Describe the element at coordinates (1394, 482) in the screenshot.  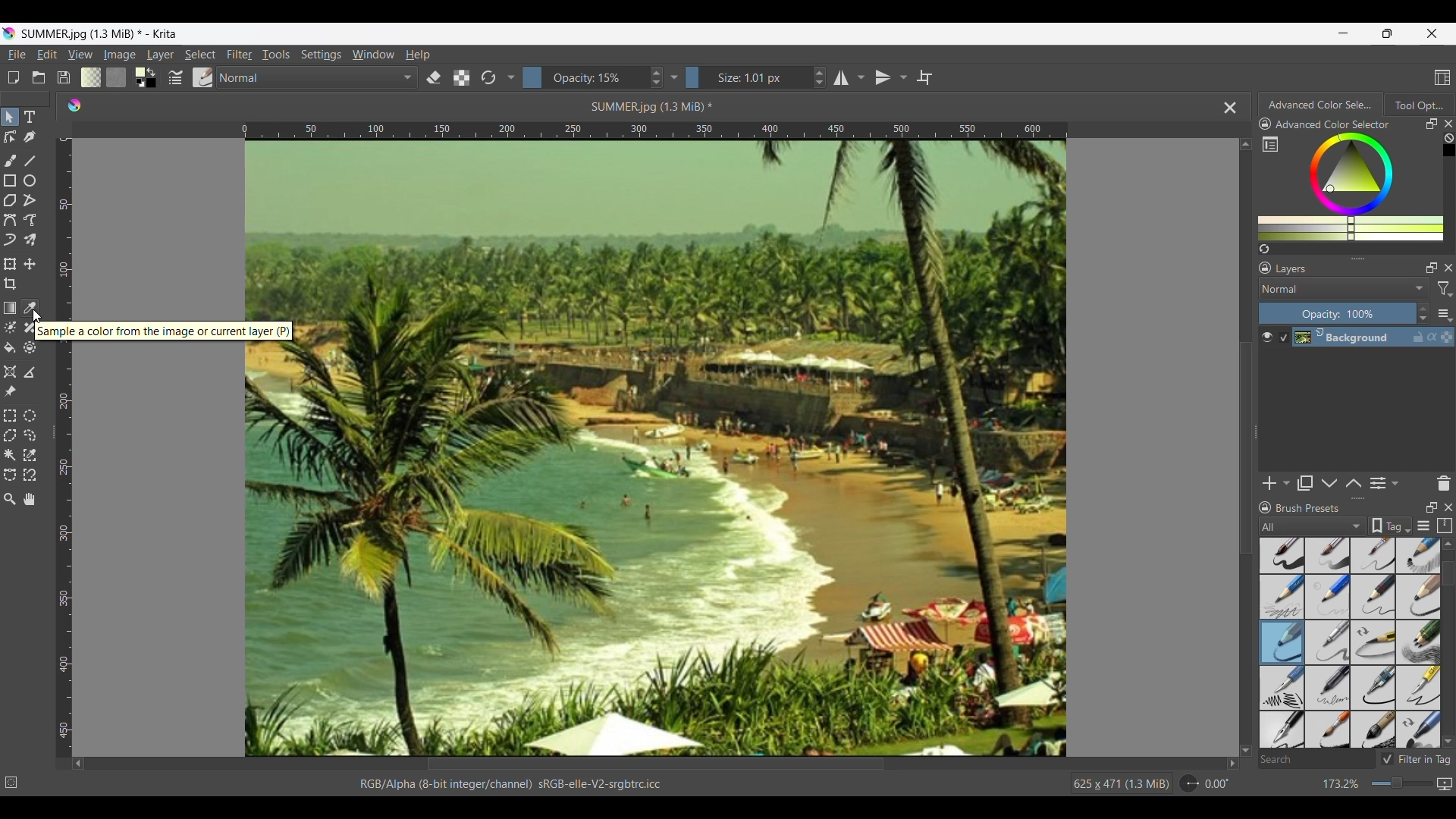
I see `Layer property settings` at that location.